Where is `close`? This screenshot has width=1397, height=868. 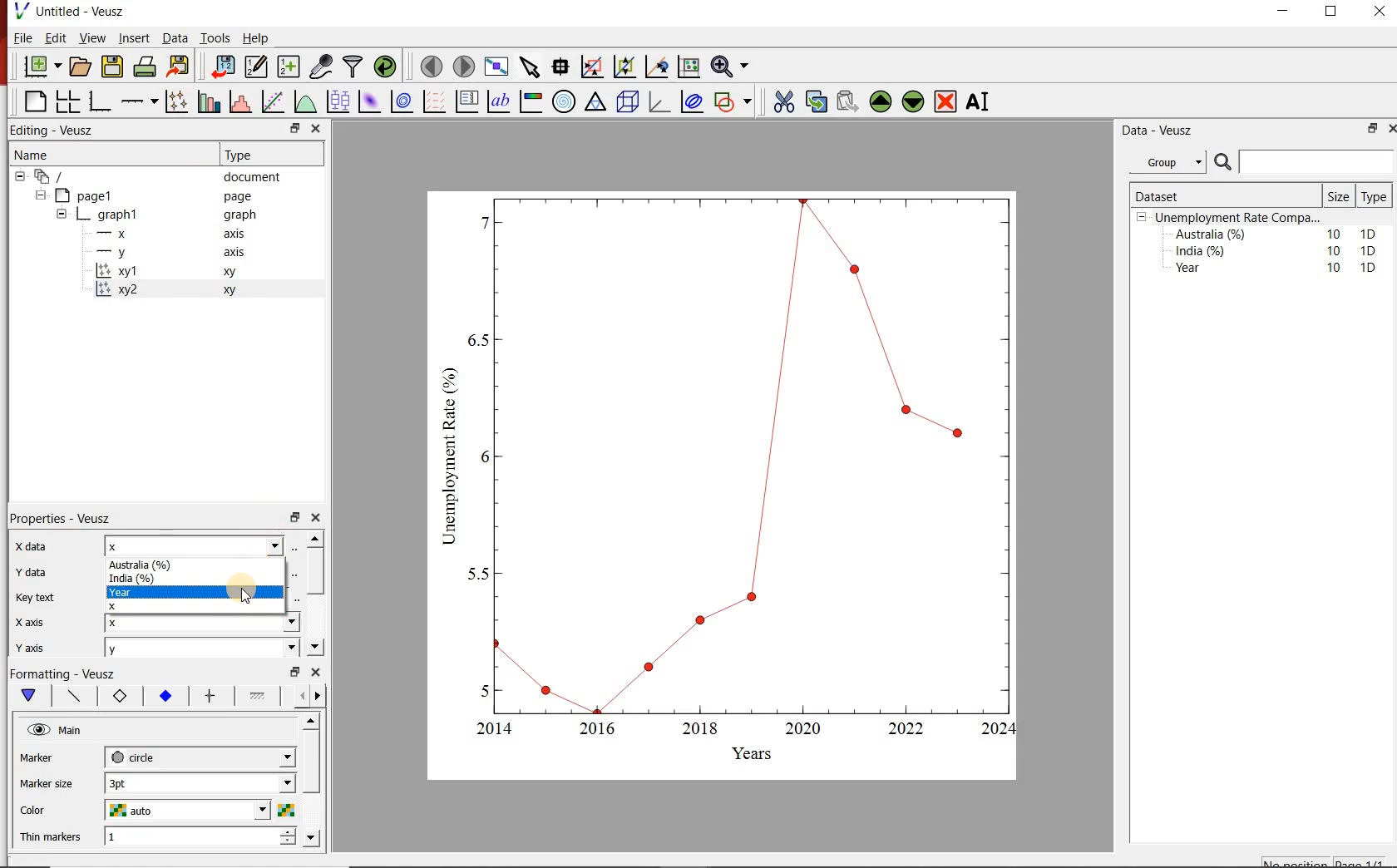
close is located at coordinates (317, 518).